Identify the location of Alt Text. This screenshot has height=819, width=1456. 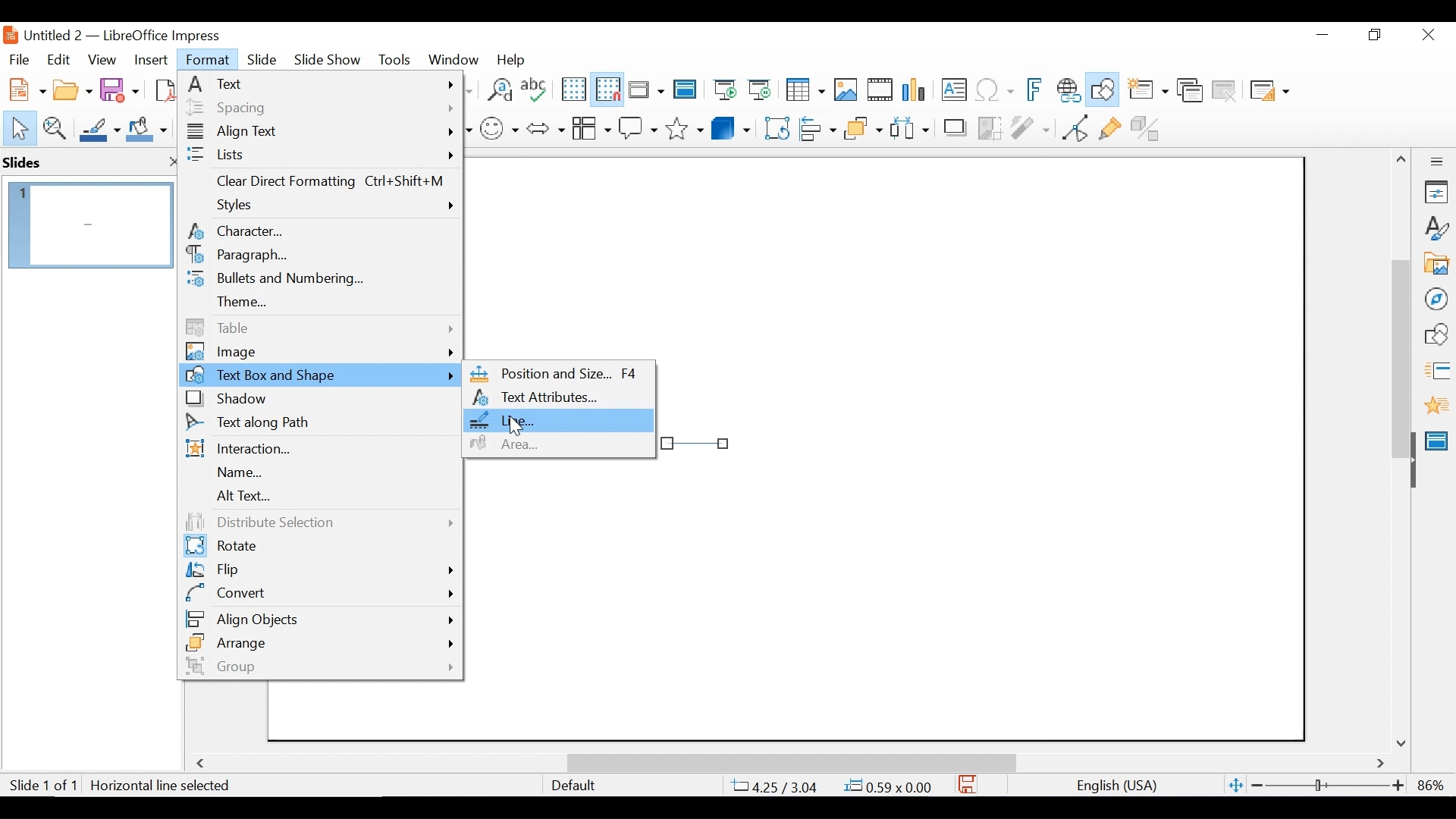
(318, 497).